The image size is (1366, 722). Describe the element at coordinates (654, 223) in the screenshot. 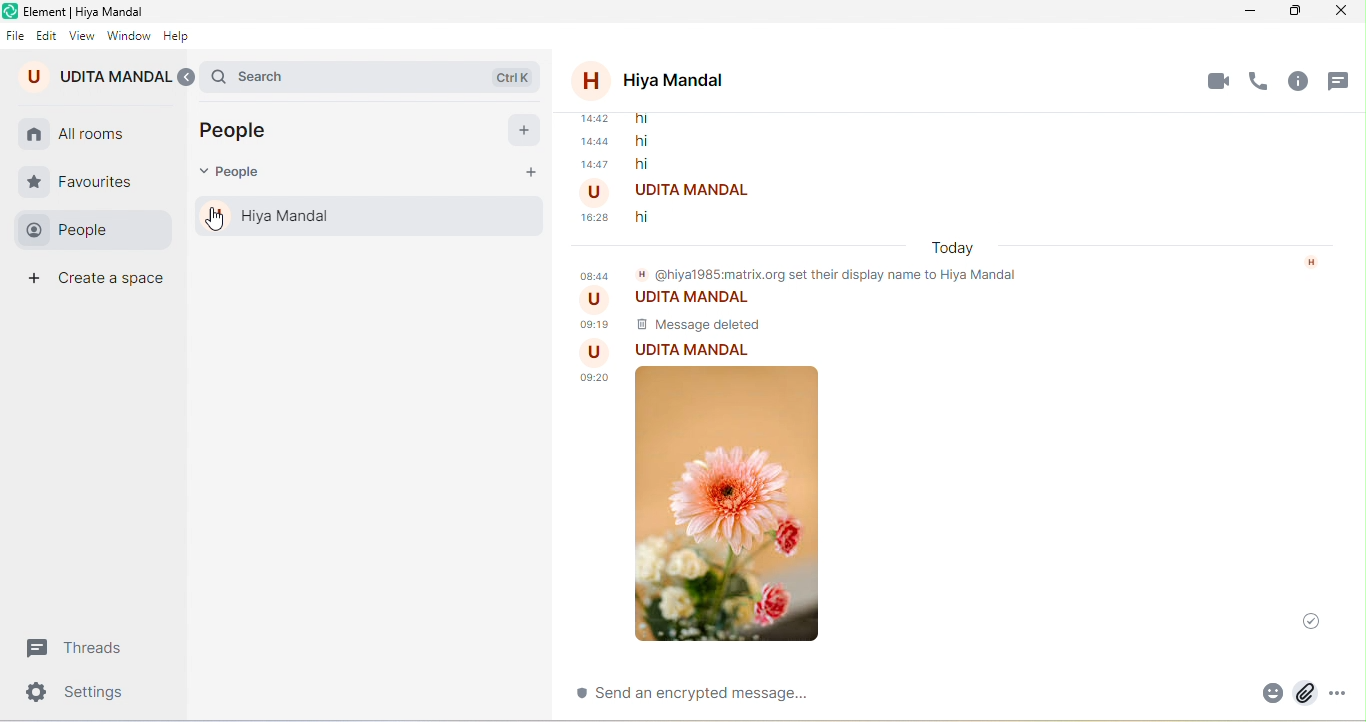

I see `message` at that location.